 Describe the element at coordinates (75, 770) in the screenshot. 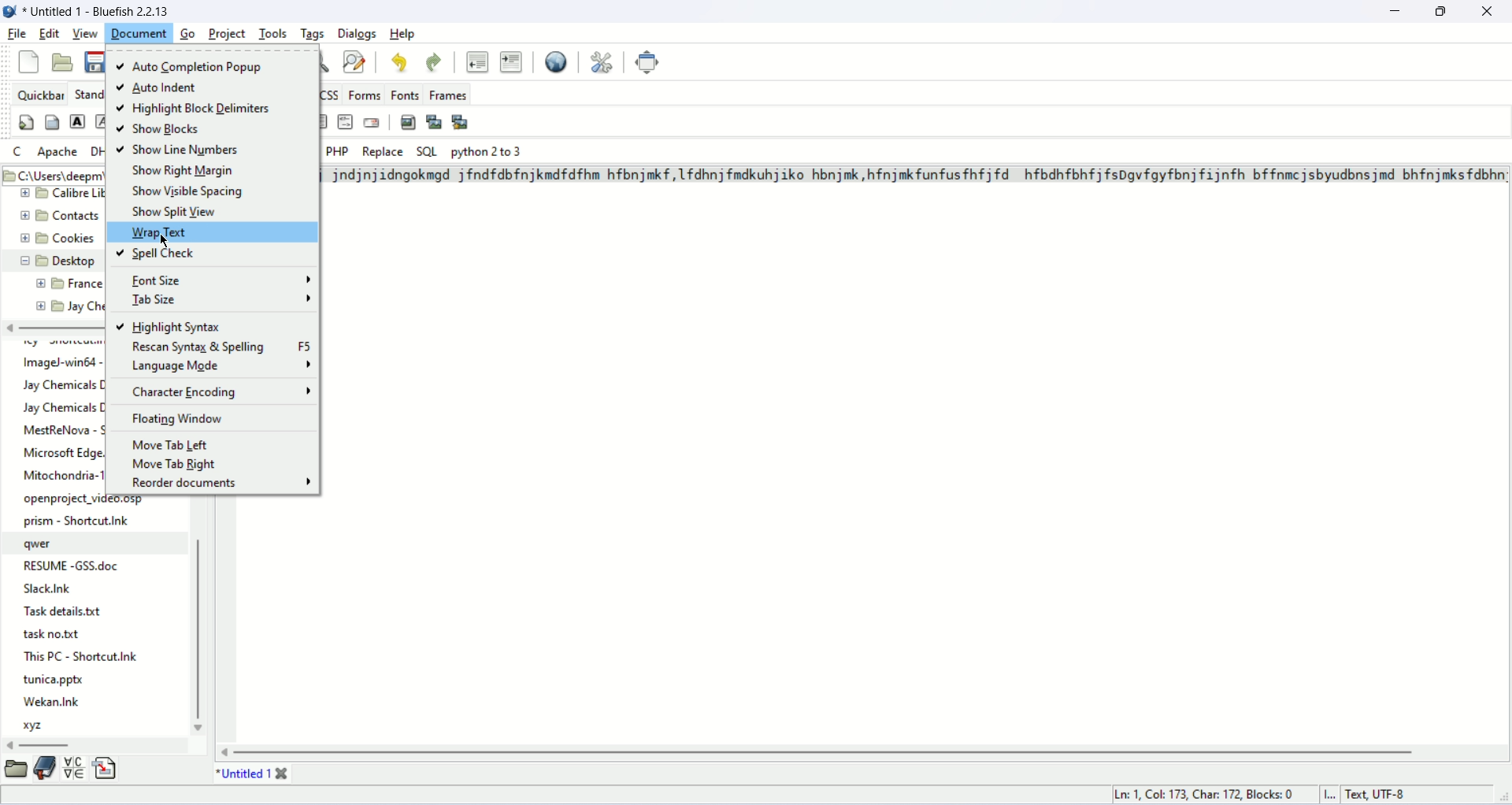

I see `charmap` at that location.